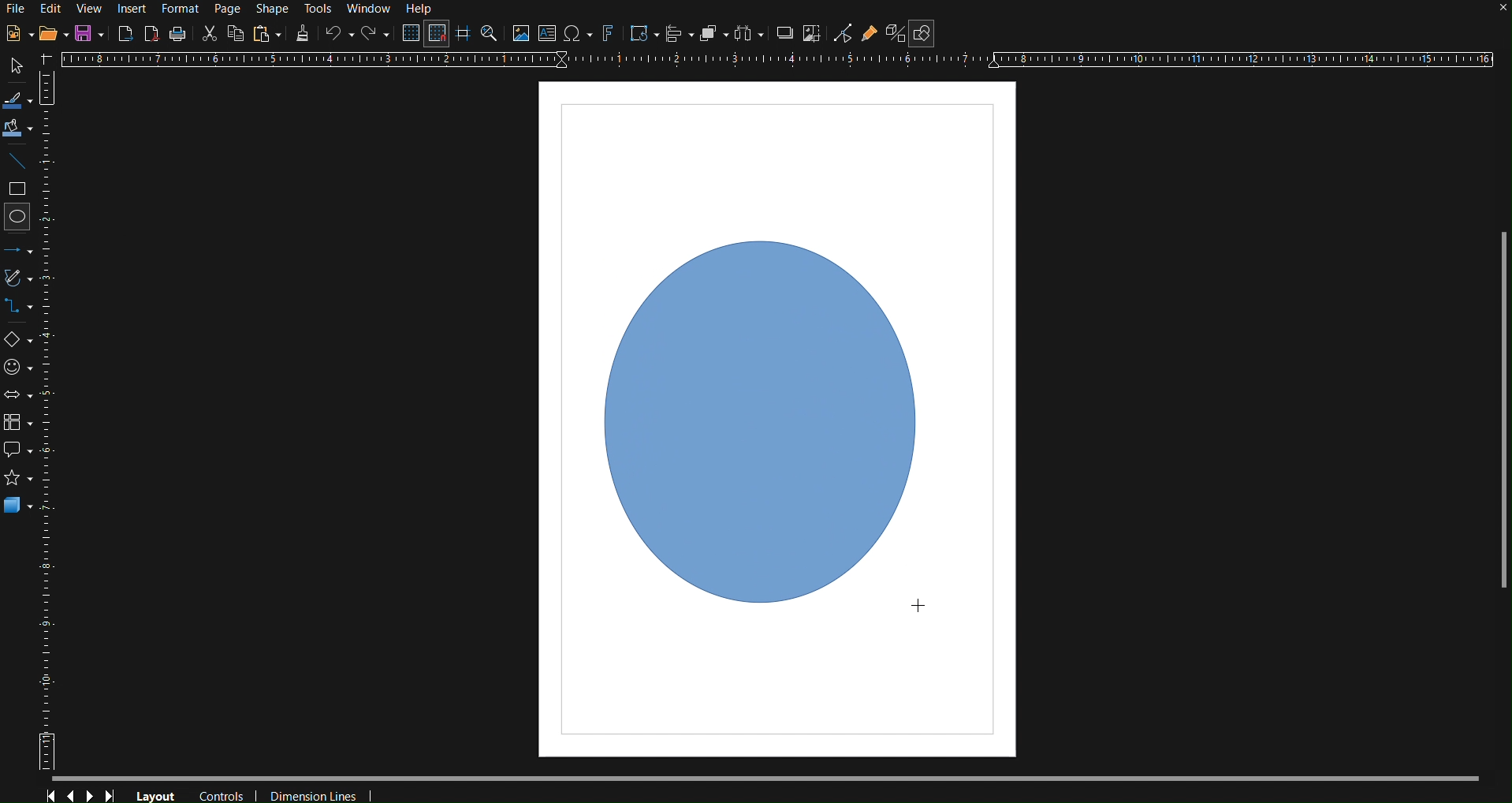 The image size is (1512, 803). What do you see at coordinates (178, 34) in the screenshot?
I see `Print` at bounding box center [178, 34].